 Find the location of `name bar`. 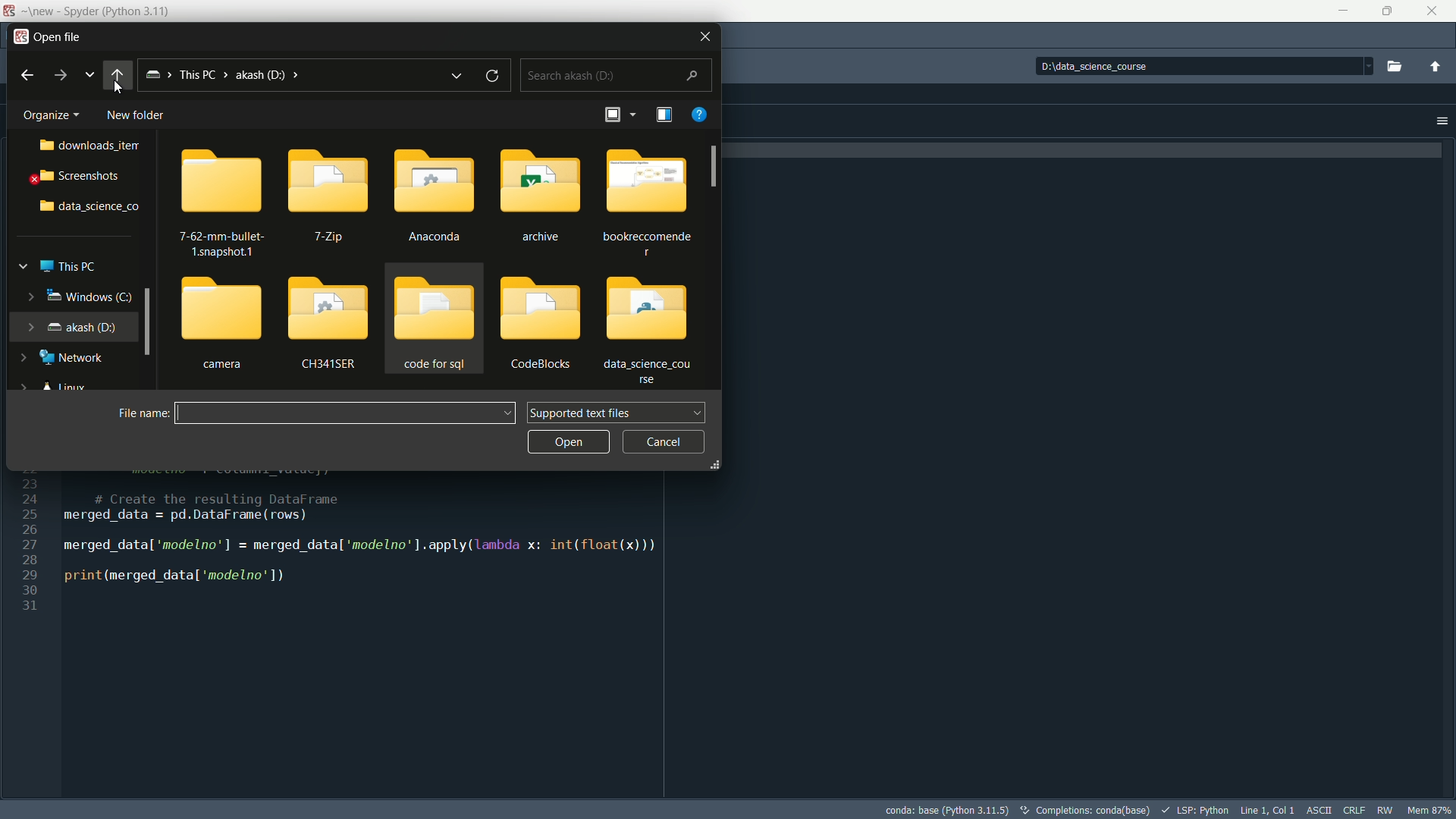

name bar is located at coordinates (335, 414).